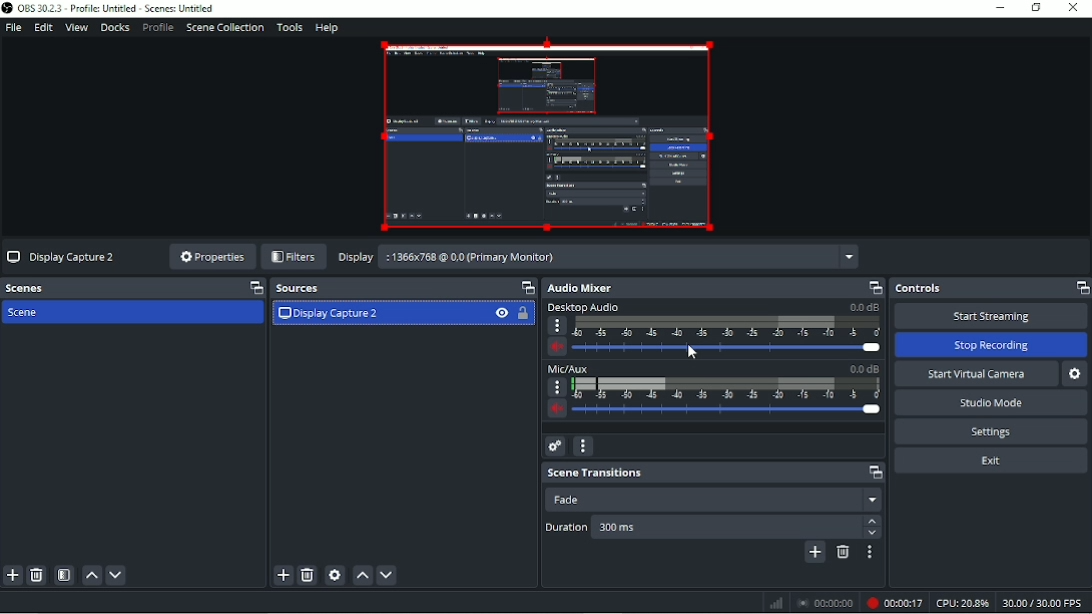 Image resolution: width=1092 pixels, height=614 pixels. What do you see at coordinates (363, 575) in the screenshot?
I see `Move source(s) up` at bounding box center [363, 575].